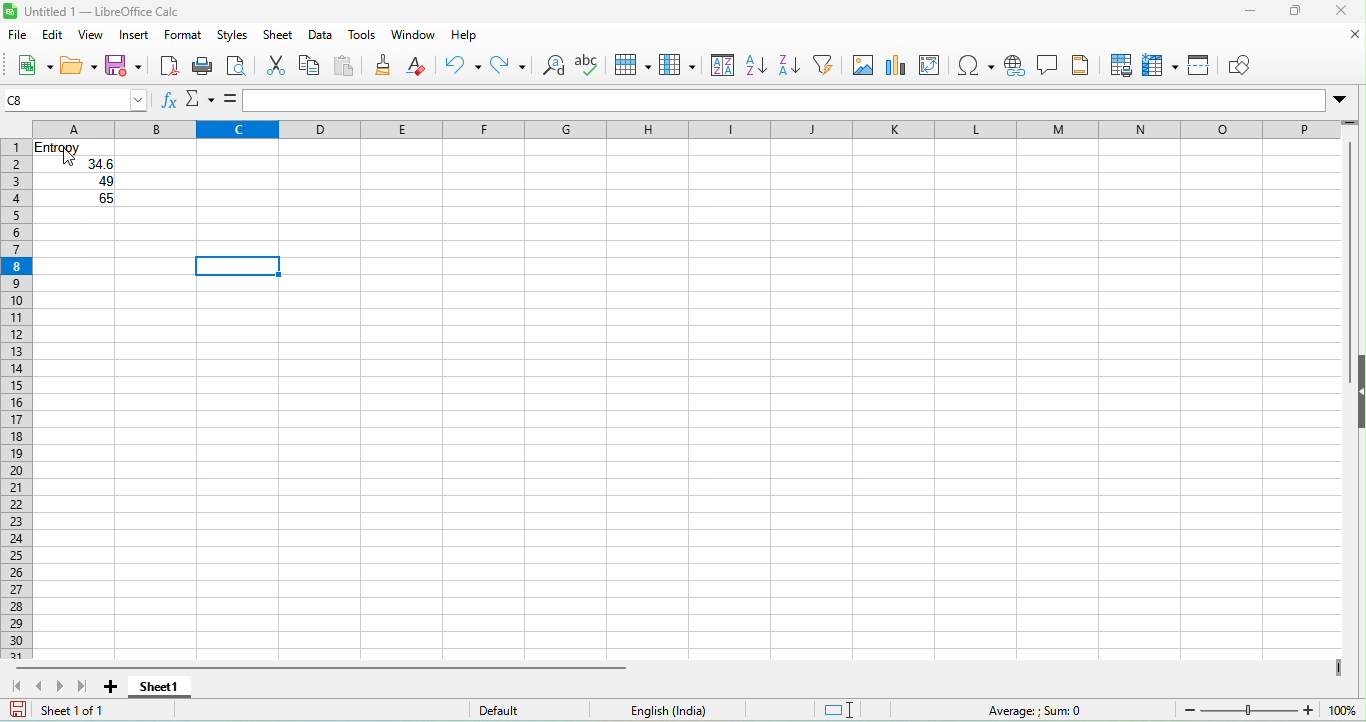  I want to click on close, so click(1346, 12).